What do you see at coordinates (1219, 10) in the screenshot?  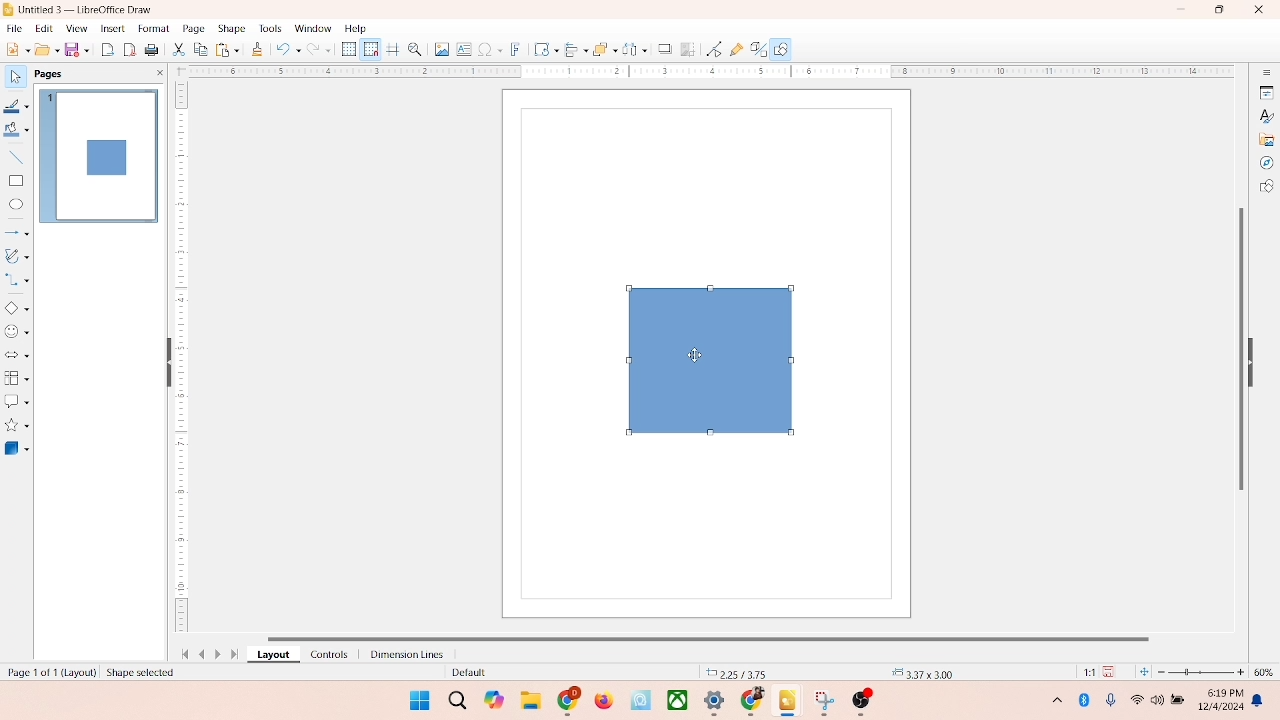 I see `maximize` at bounding box center [1219, 10].